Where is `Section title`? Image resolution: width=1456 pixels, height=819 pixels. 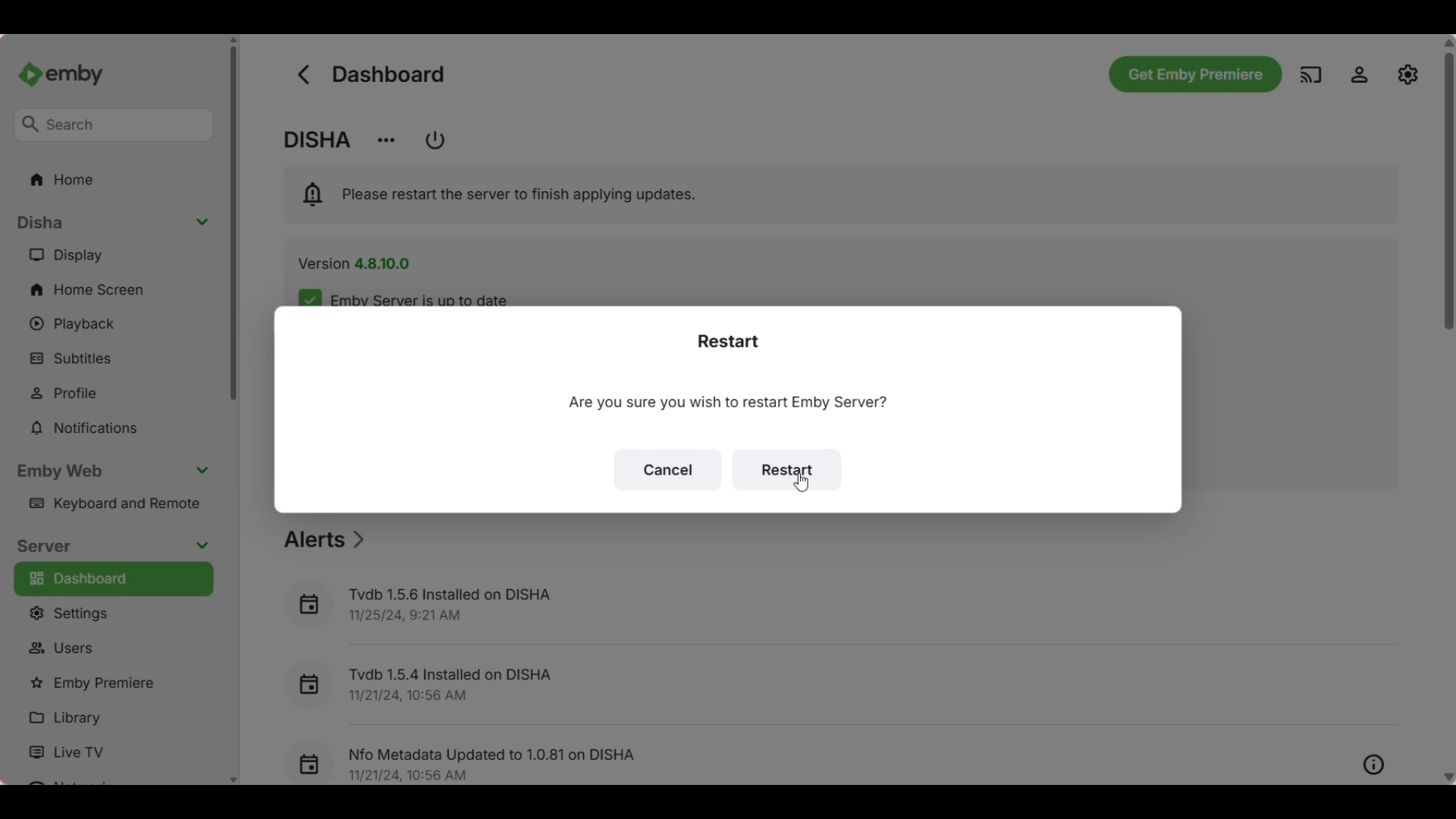
Section title is located at coordinates (326, 539).